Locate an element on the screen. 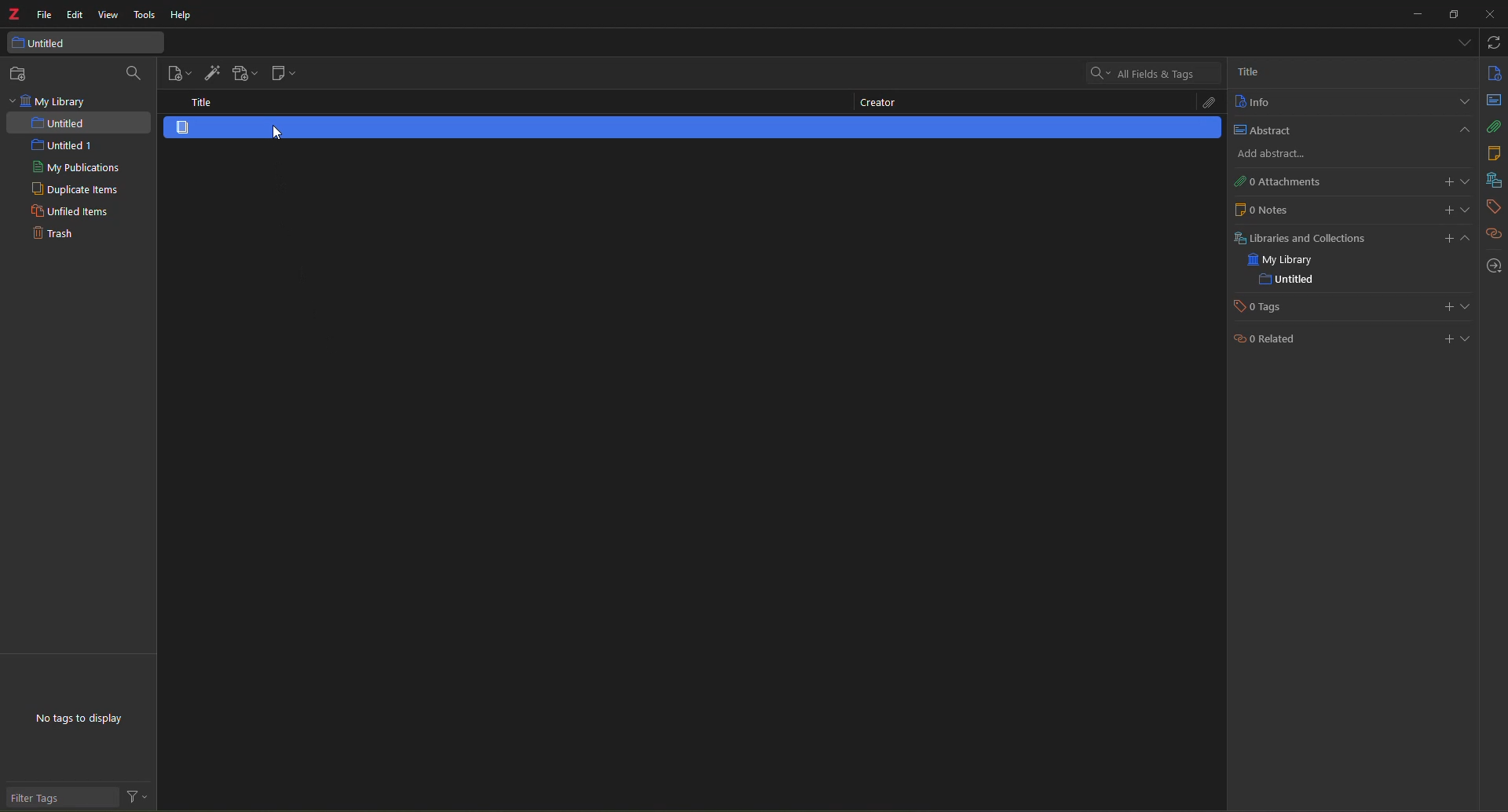  attach is located at coordinates (1204, 104).